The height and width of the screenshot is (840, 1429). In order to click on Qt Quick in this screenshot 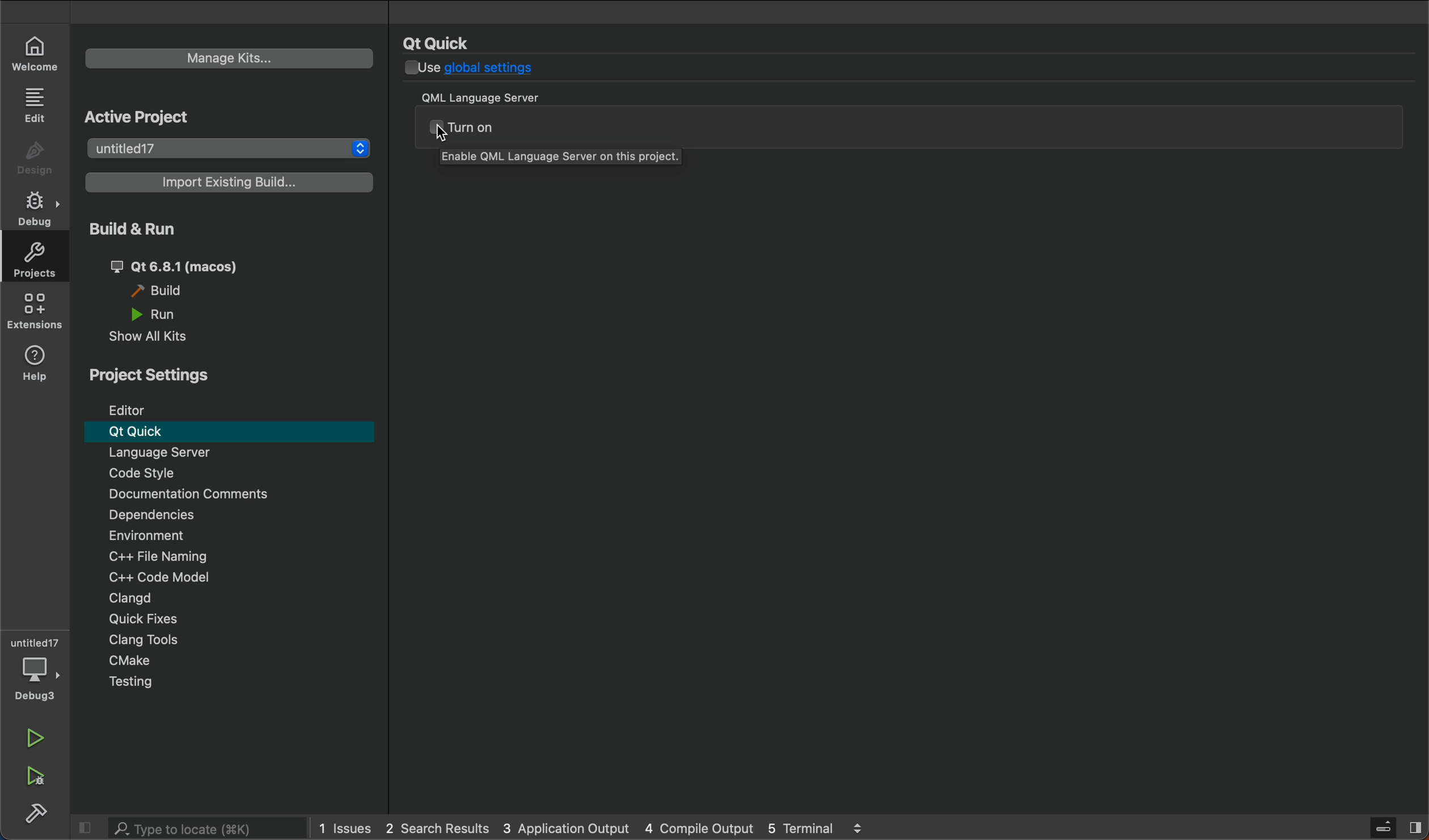, I will do `click(440, 42)`.